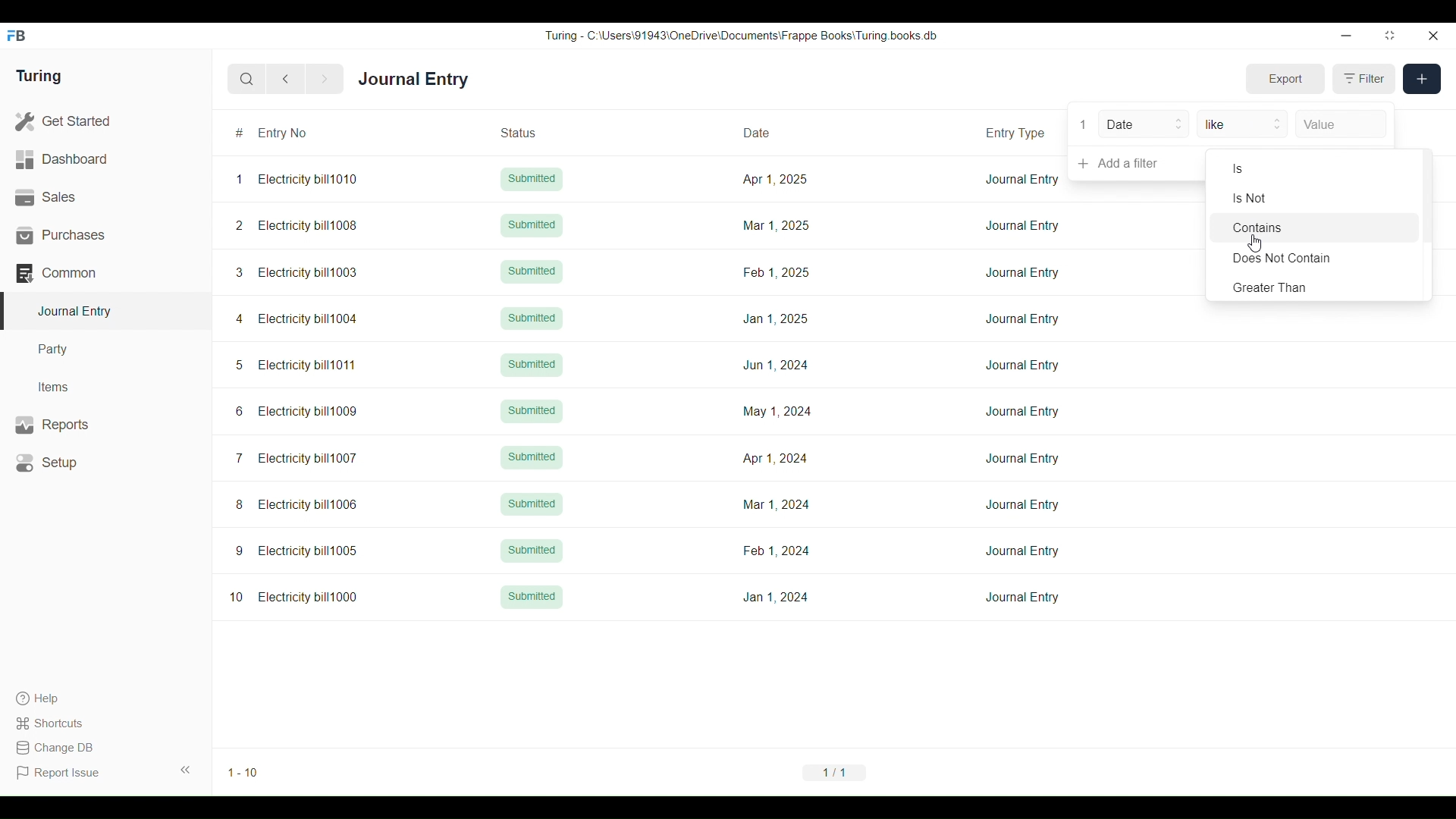 This screenshot has height=819, width=1456. Describe the element at coordinates (106, 463) in the screenshot. I see `Setup` at that location.